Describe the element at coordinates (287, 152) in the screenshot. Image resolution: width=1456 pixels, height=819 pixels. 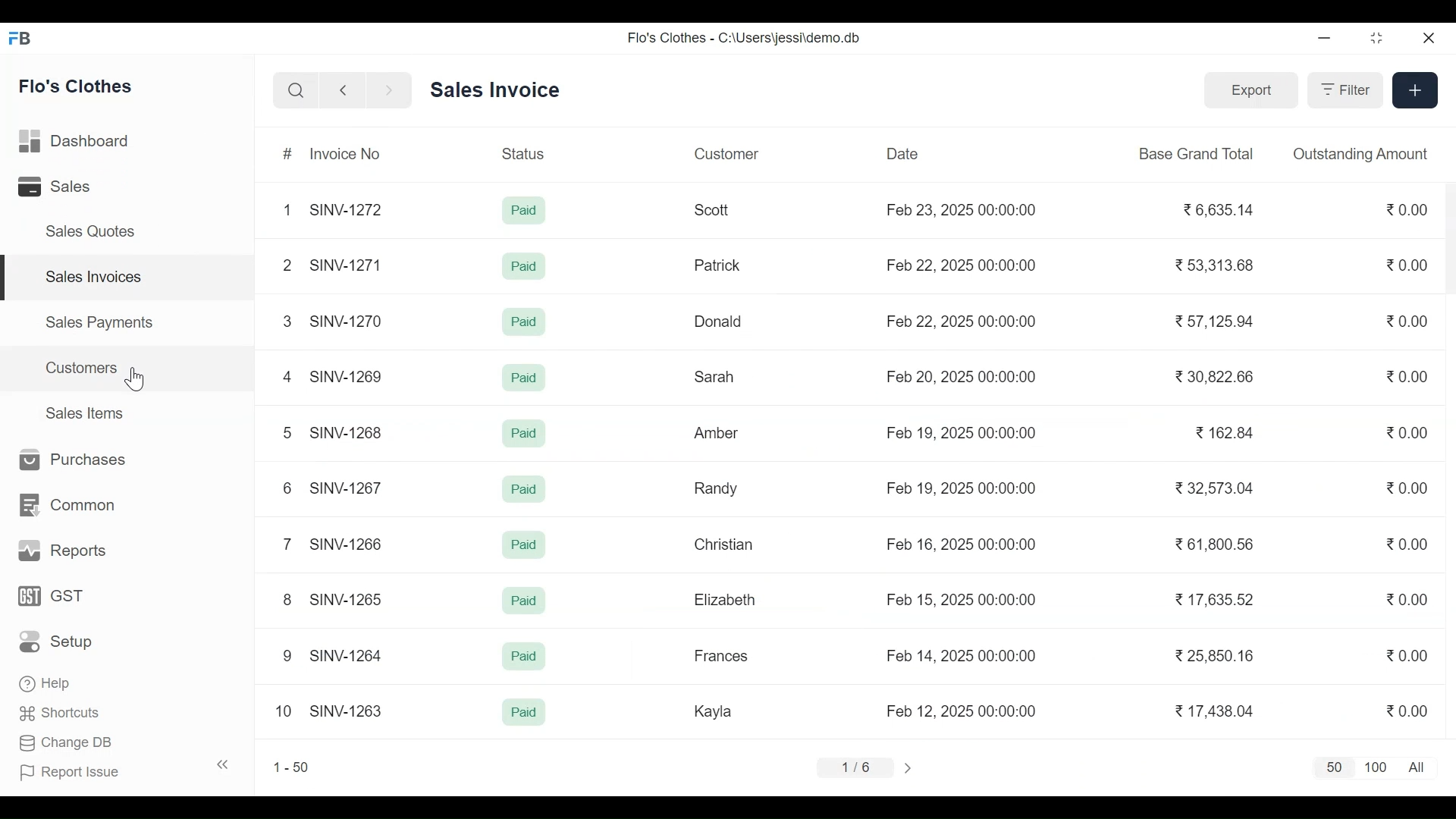
I see `#` at that location.